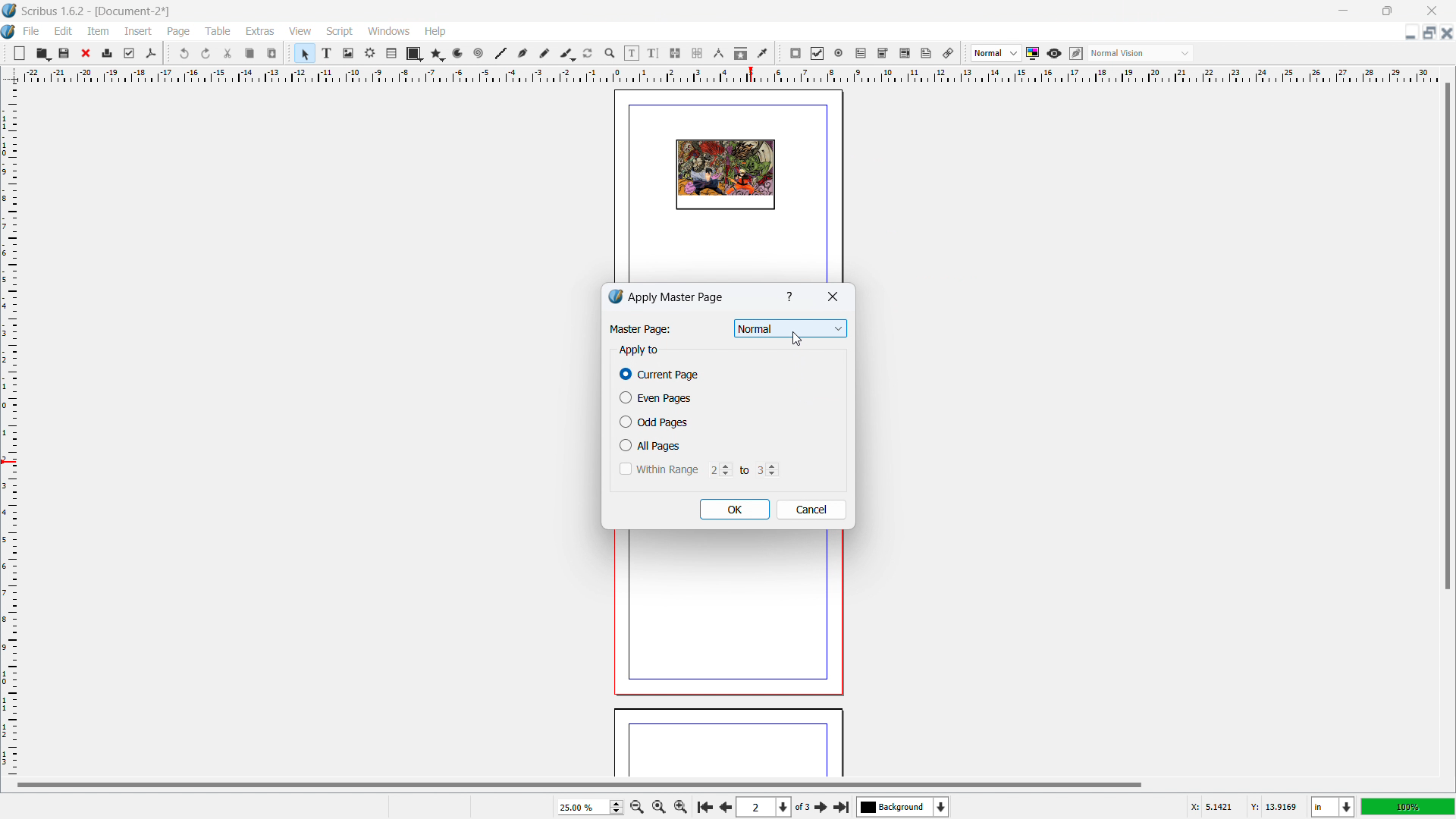  What do you see at coordinates (655, 397) in the screenshot?
I see `even pages checkbox` at bounding box center [655, 397].